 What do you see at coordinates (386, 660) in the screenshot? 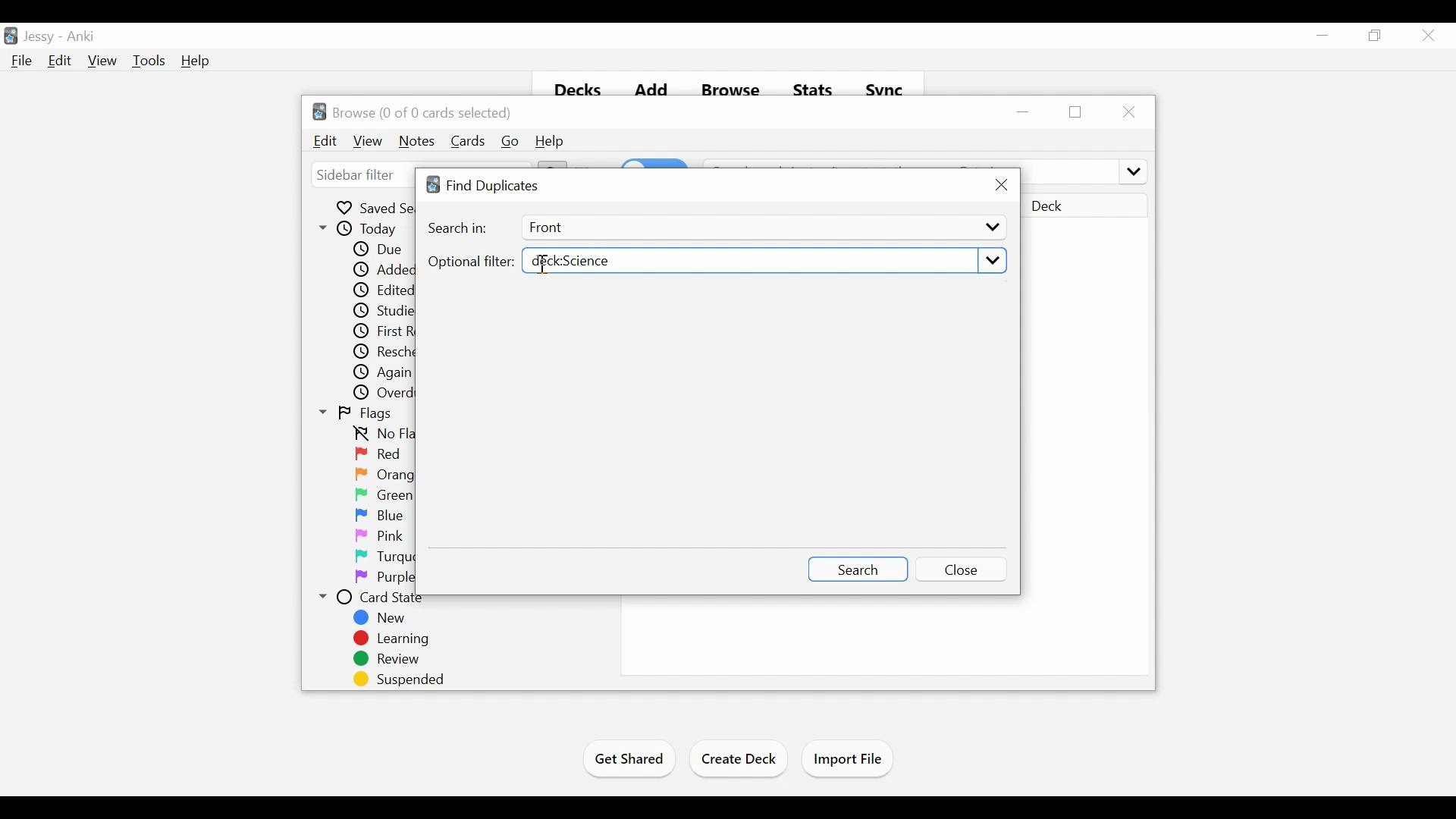
I see `Review` at bounding box center [386, 660].